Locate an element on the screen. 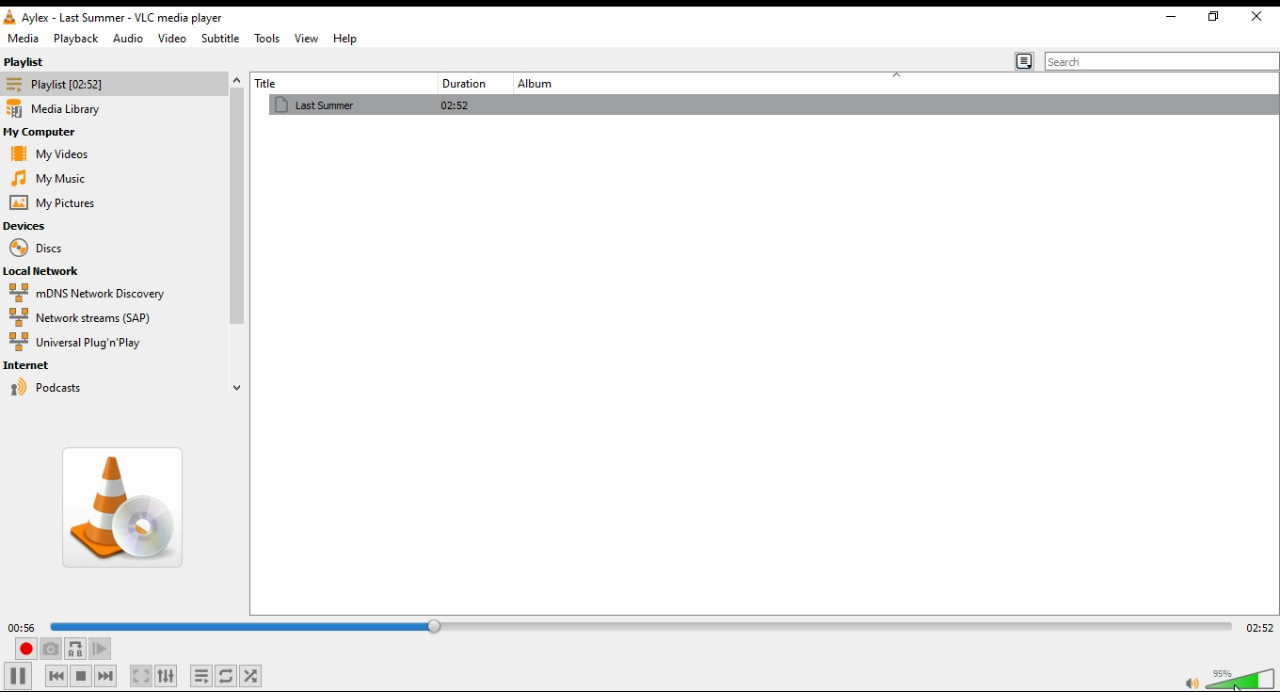 Image resolution: width=1280 pixels, height=692 pixels. view is located at coordinates (305, 39).